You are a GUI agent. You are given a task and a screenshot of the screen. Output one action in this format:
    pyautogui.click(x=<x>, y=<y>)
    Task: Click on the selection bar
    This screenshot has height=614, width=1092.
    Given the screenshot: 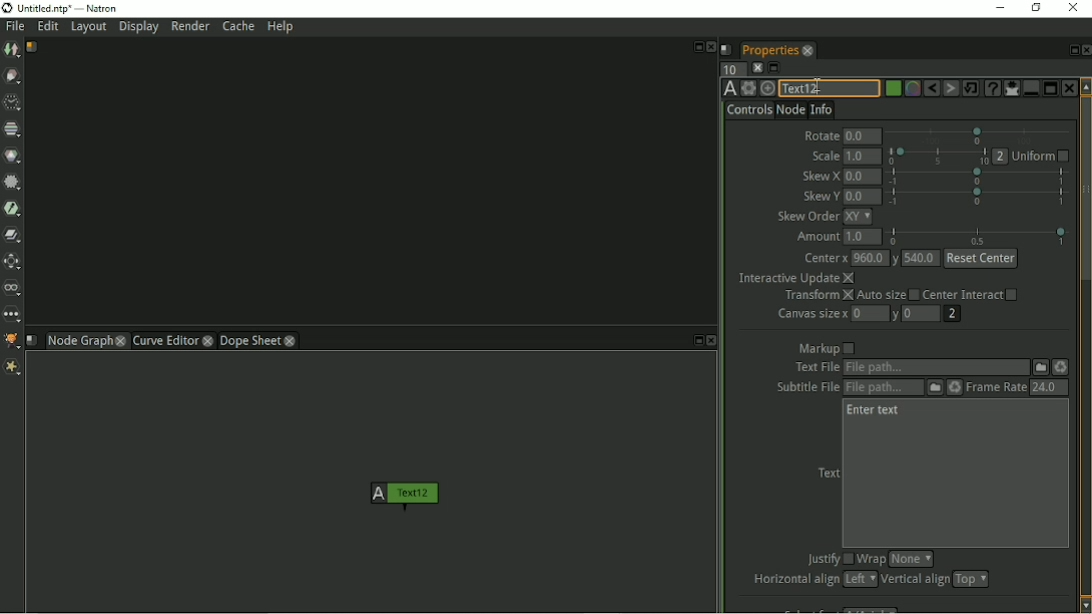 What is the action you would take?
    pyautogui.click(x=979, y=135)
    